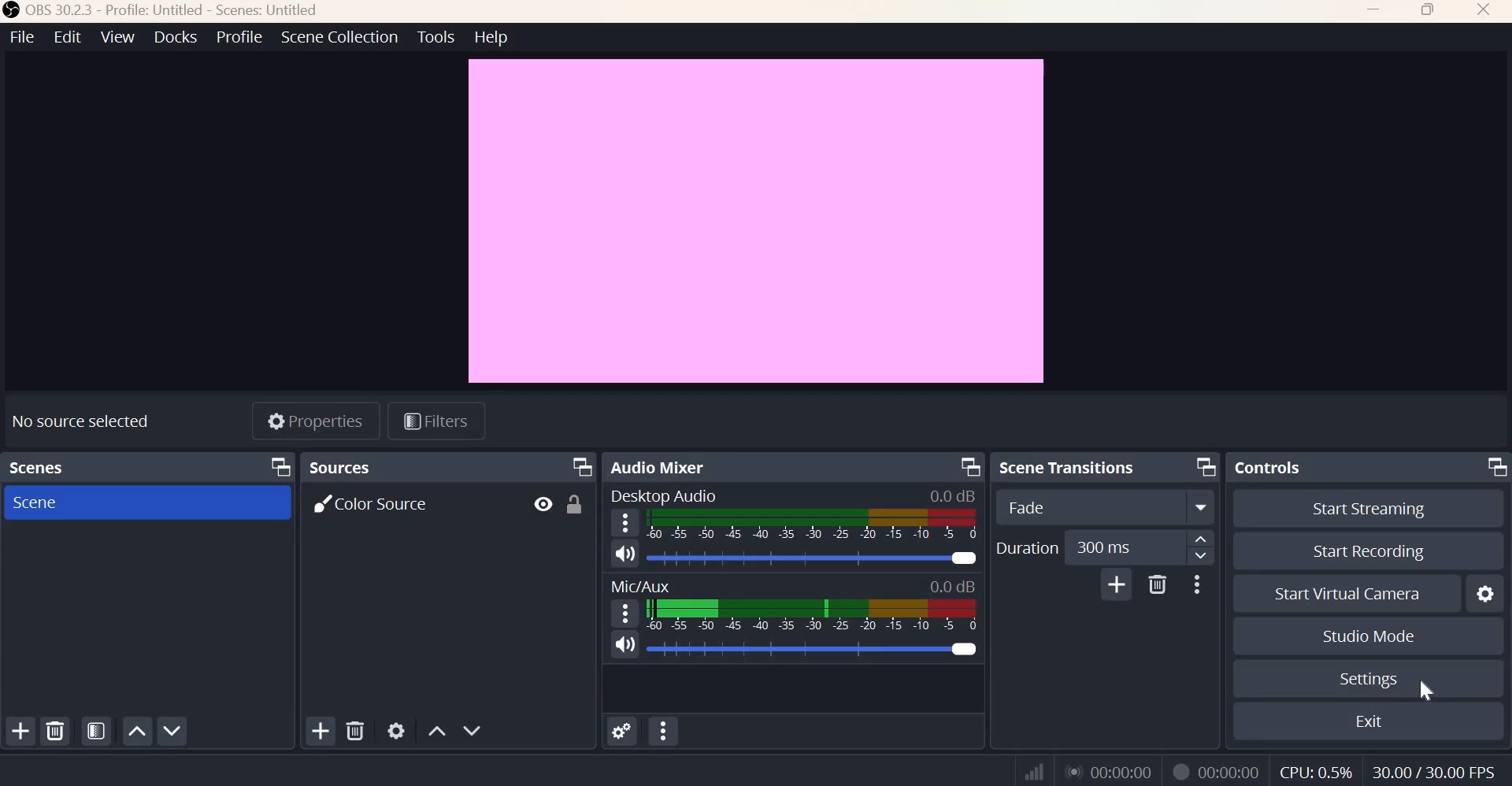 The image size is (1512, 786). I want to click on Dock Options icon, so click(1493, 469).